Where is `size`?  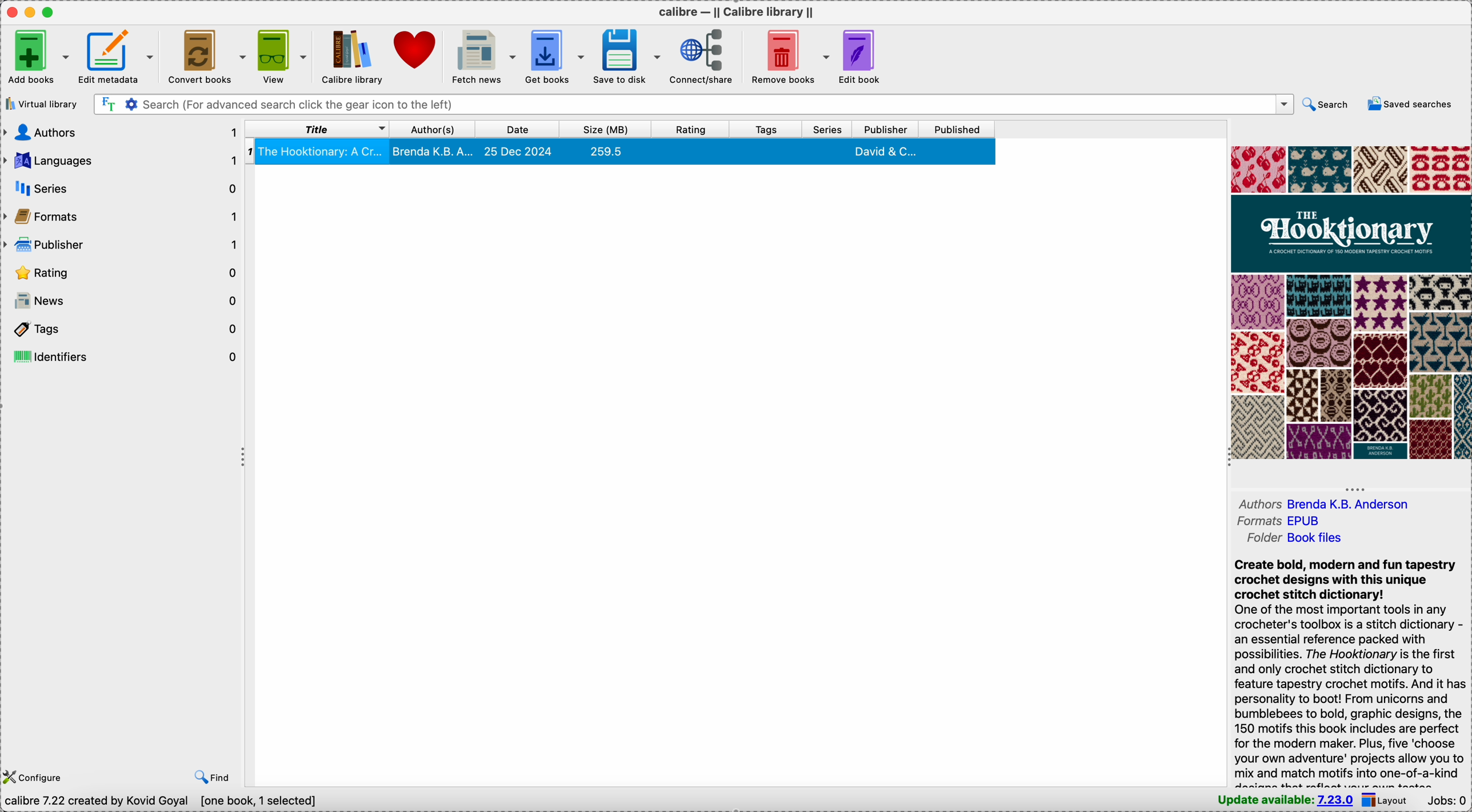
size is located at coordinates (603, 129).